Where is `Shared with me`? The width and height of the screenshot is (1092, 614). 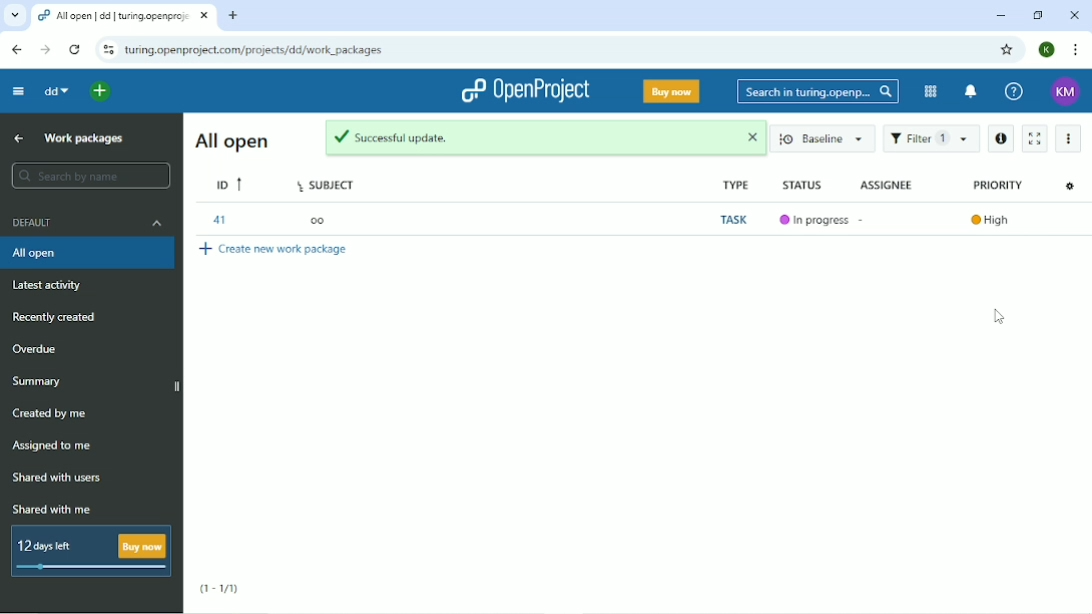 Shared with me is located at coordinates (53, 510).